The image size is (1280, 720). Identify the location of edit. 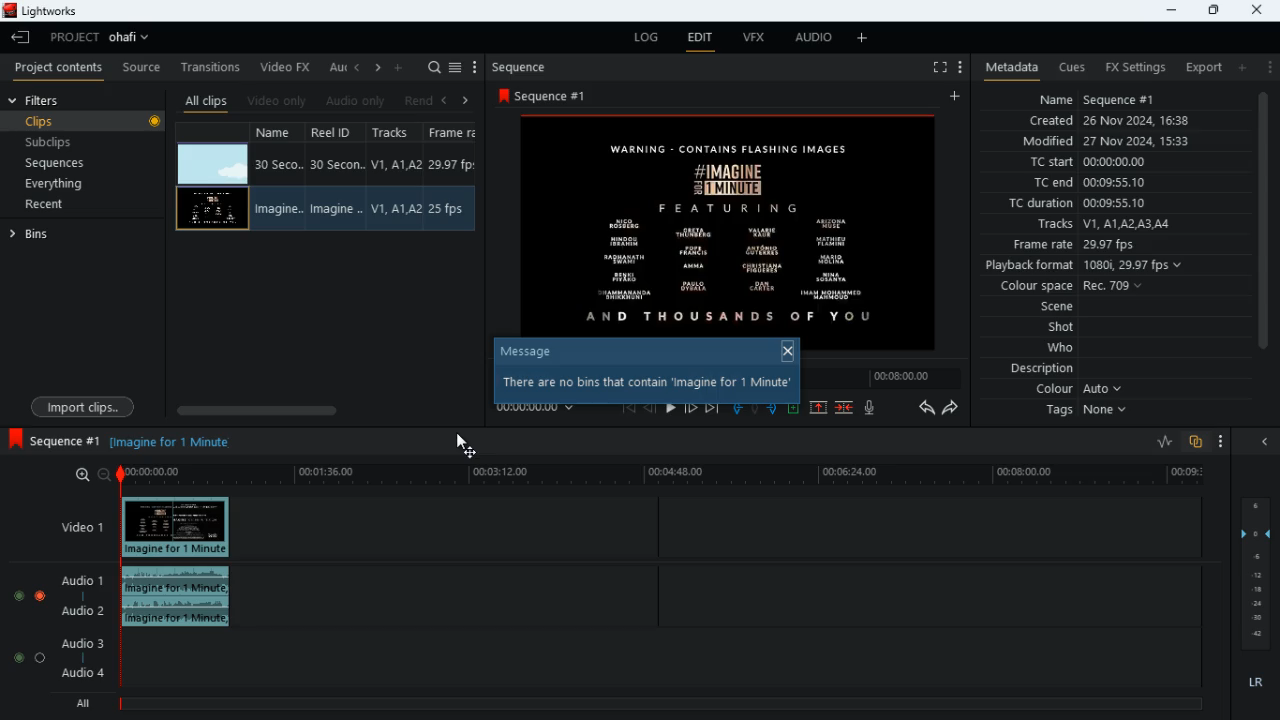
(702, 39).